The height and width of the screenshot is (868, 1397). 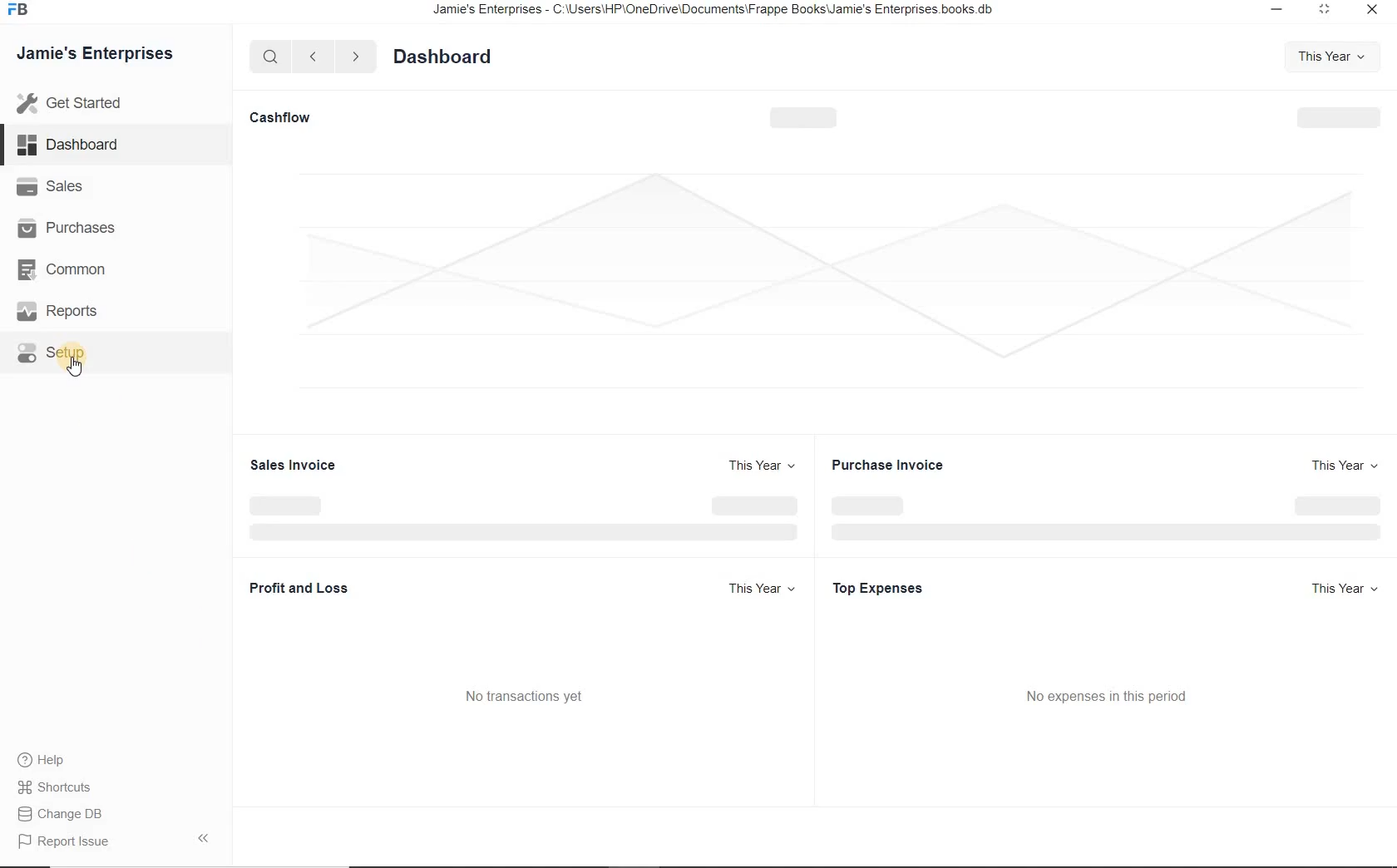 What do you see at coordinates (75, 227) in the screenshot?
I see `Purchases` at bounding box center [75, 227].